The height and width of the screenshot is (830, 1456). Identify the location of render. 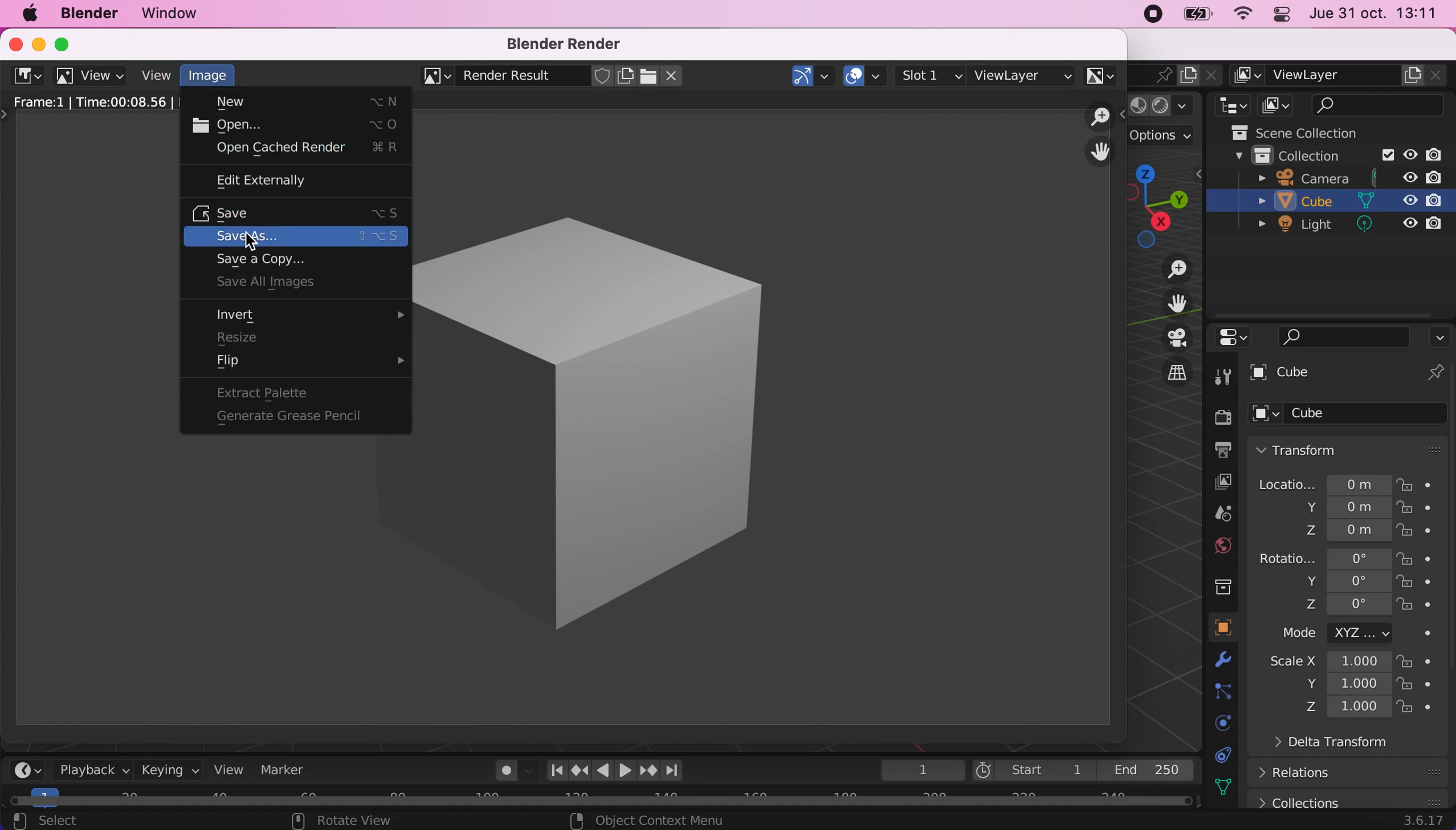
(1222, 418).